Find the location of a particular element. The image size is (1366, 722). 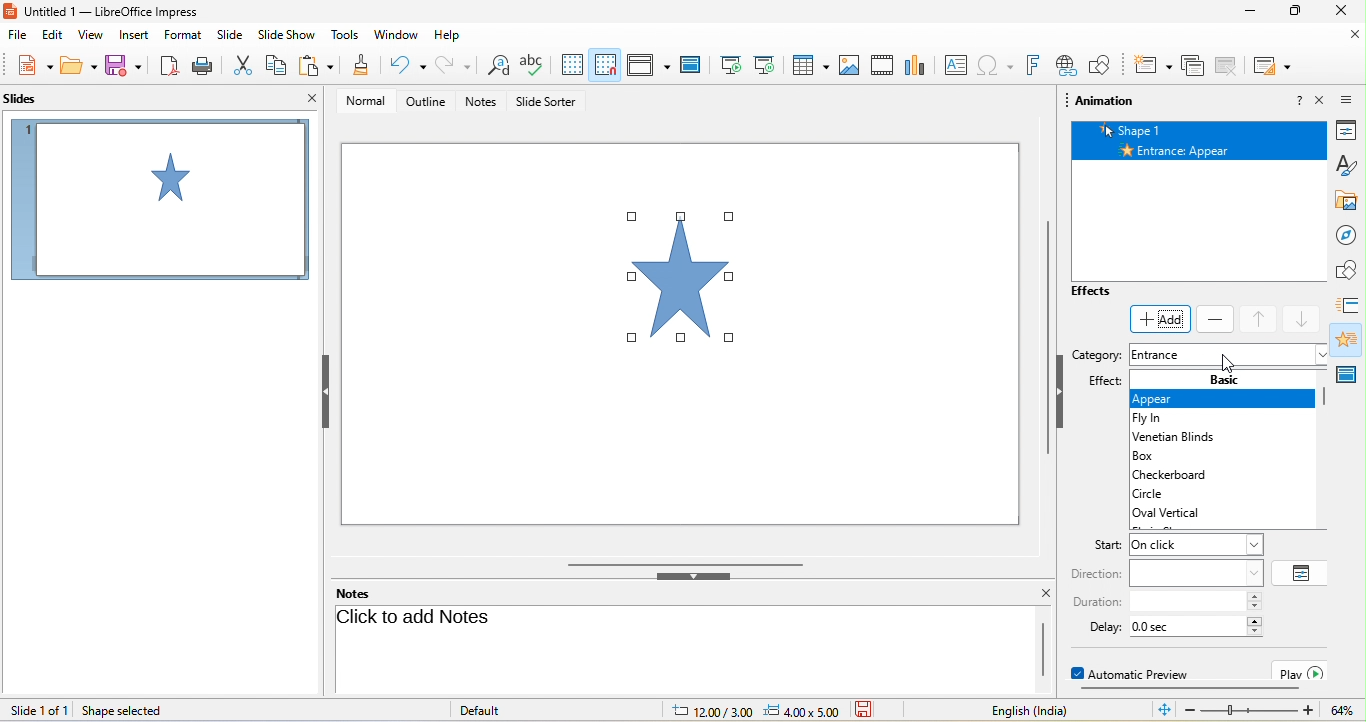

slide is located at coordinates (231, 36).